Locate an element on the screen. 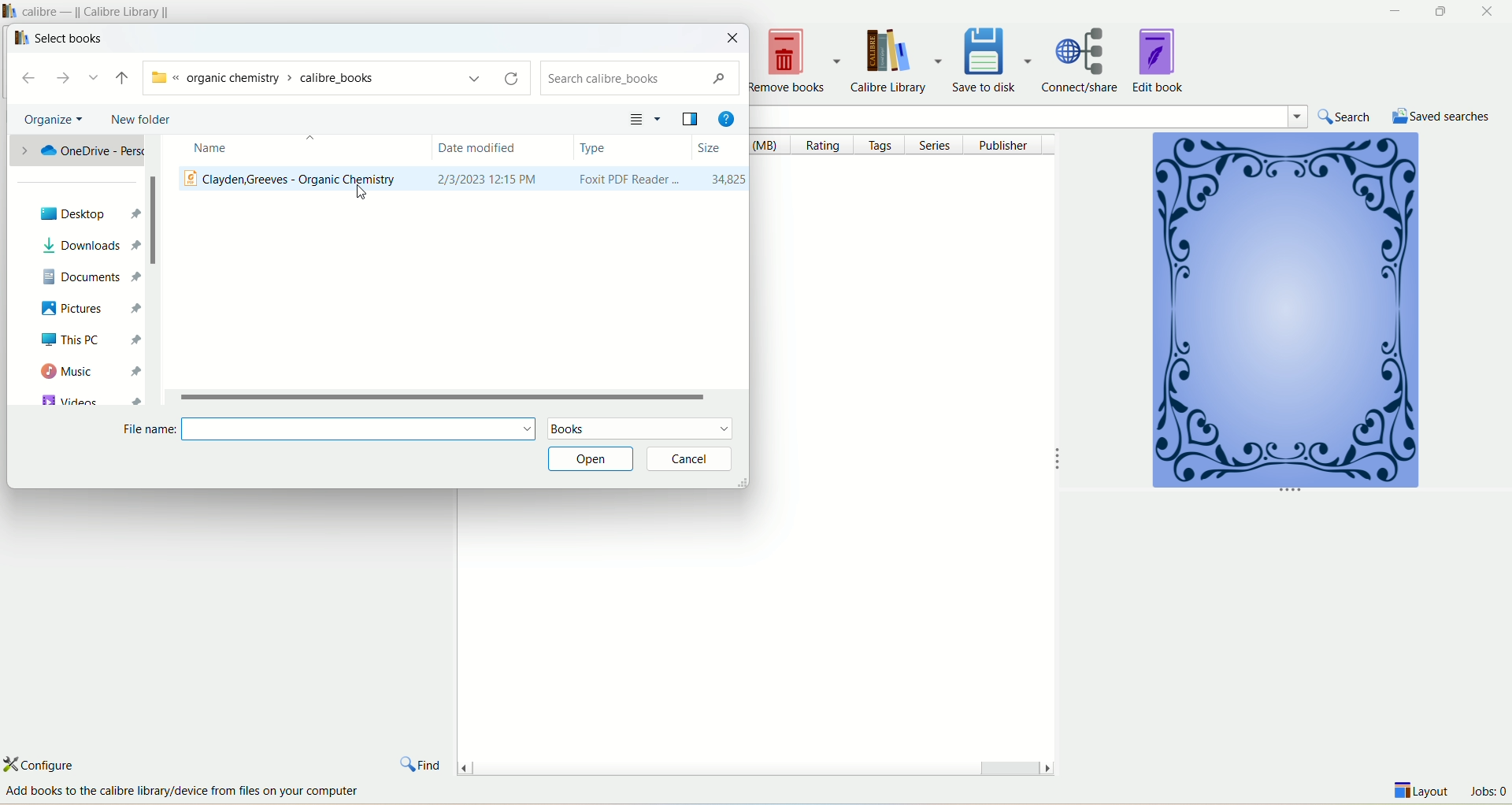 The height and width of the screenshot is (805, 1512). books is located at coordinates (639, 429).